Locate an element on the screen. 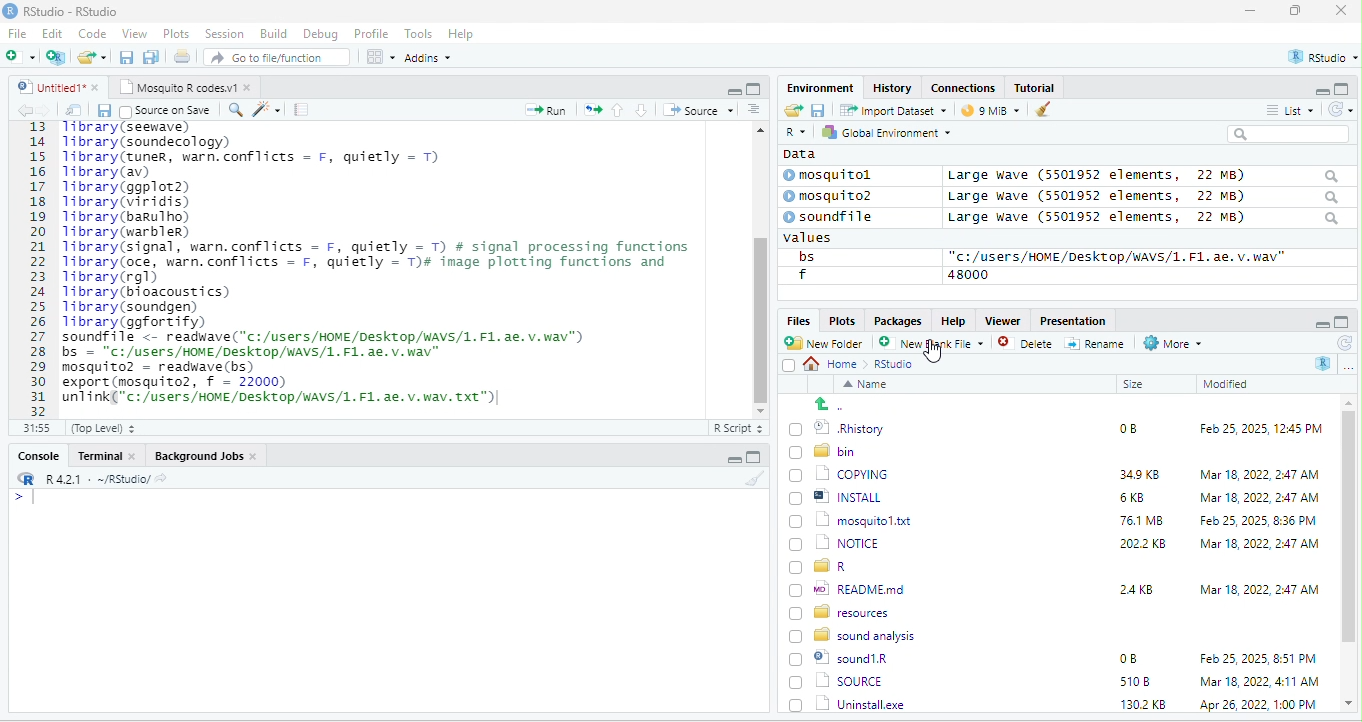  History is located at coordinates (893, 87).